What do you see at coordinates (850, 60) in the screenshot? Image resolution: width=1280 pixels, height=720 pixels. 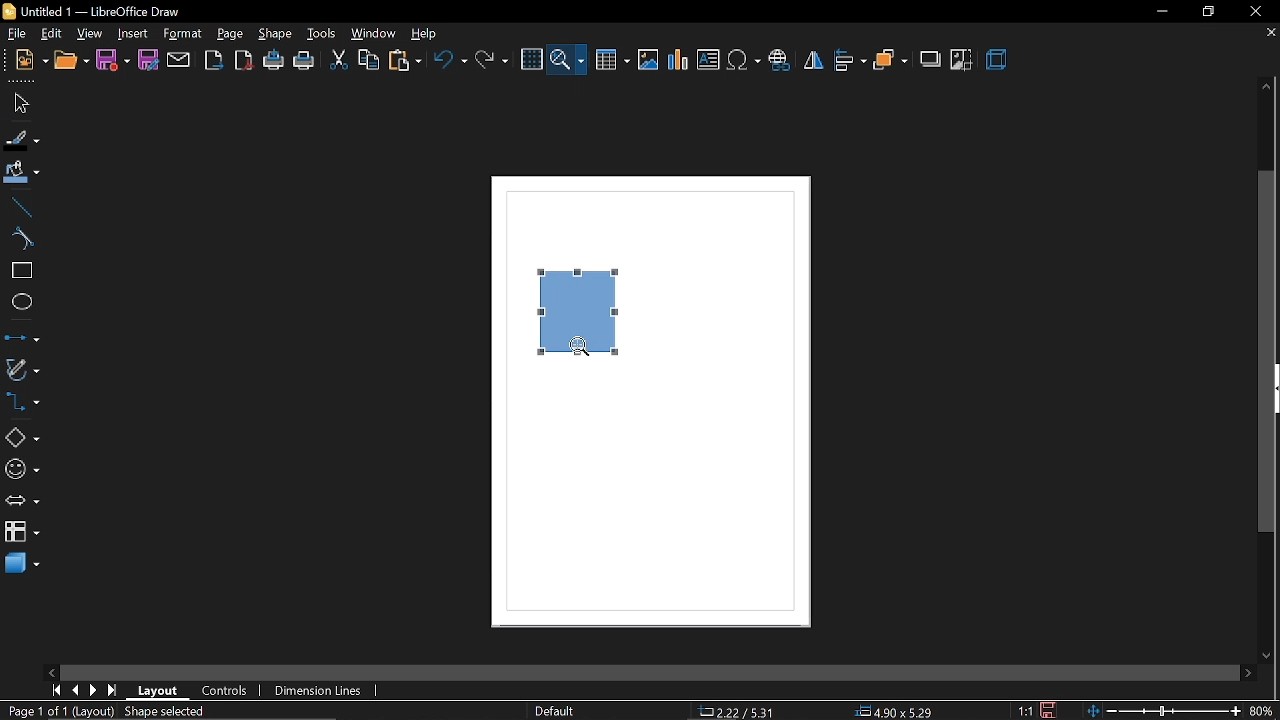 I see `align` at bounding box center [850, 60].